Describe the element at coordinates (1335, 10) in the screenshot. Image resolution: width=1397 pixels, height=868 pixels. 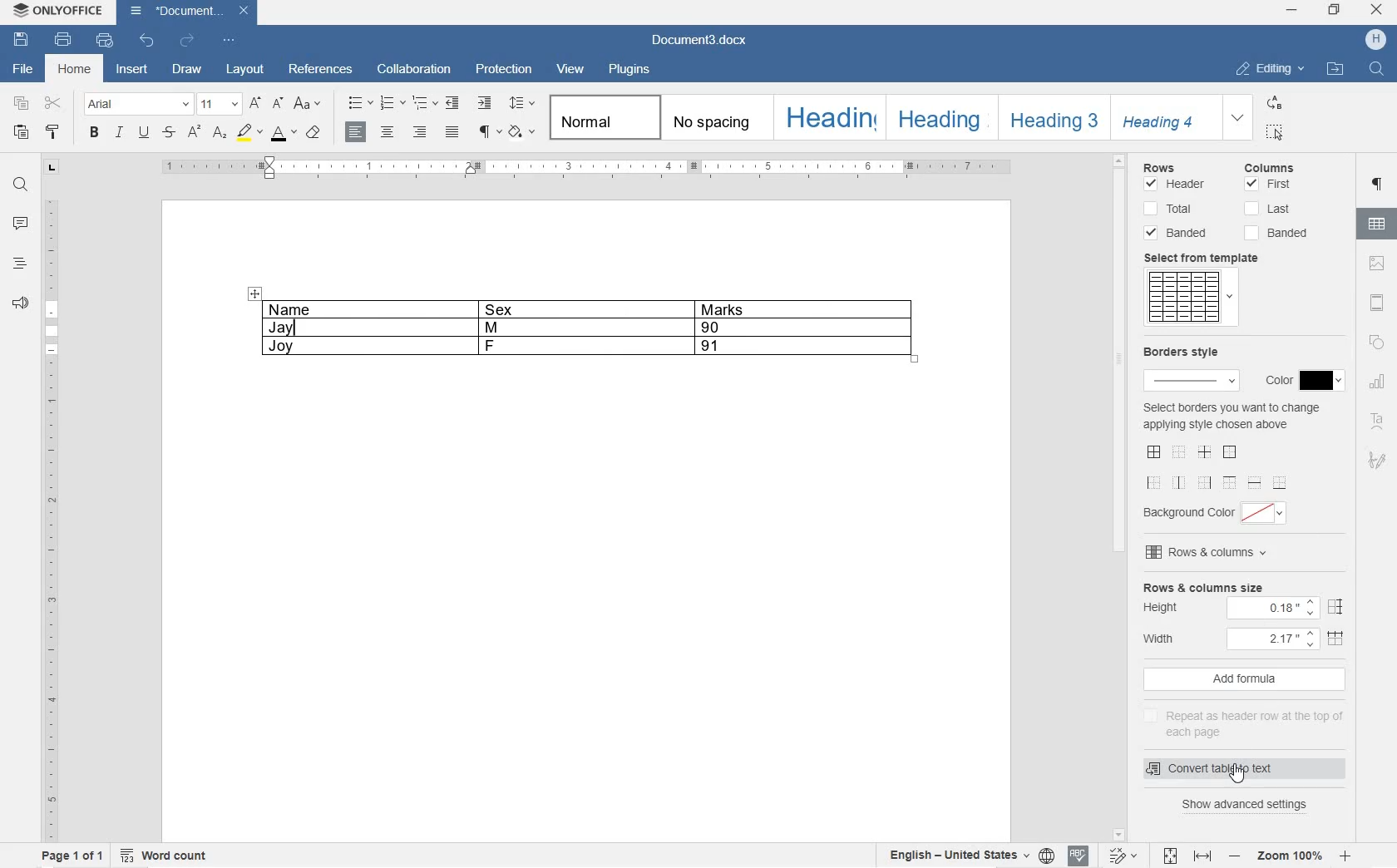
I see `RESTORE` at that location.